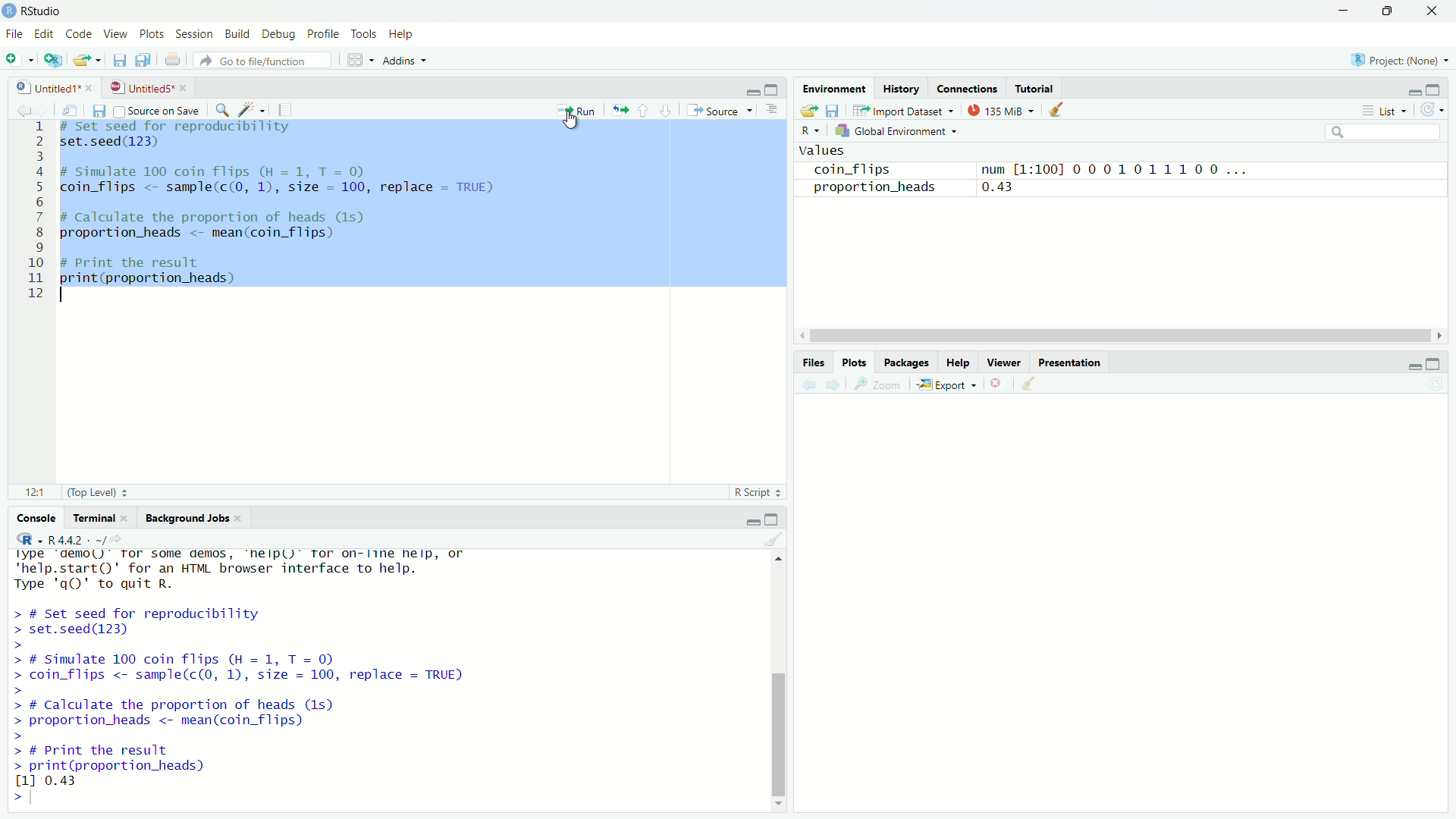  What do you see at coordinates (150, 34) in the screenshot?
I see `plots` at bounding box center [150, 34].